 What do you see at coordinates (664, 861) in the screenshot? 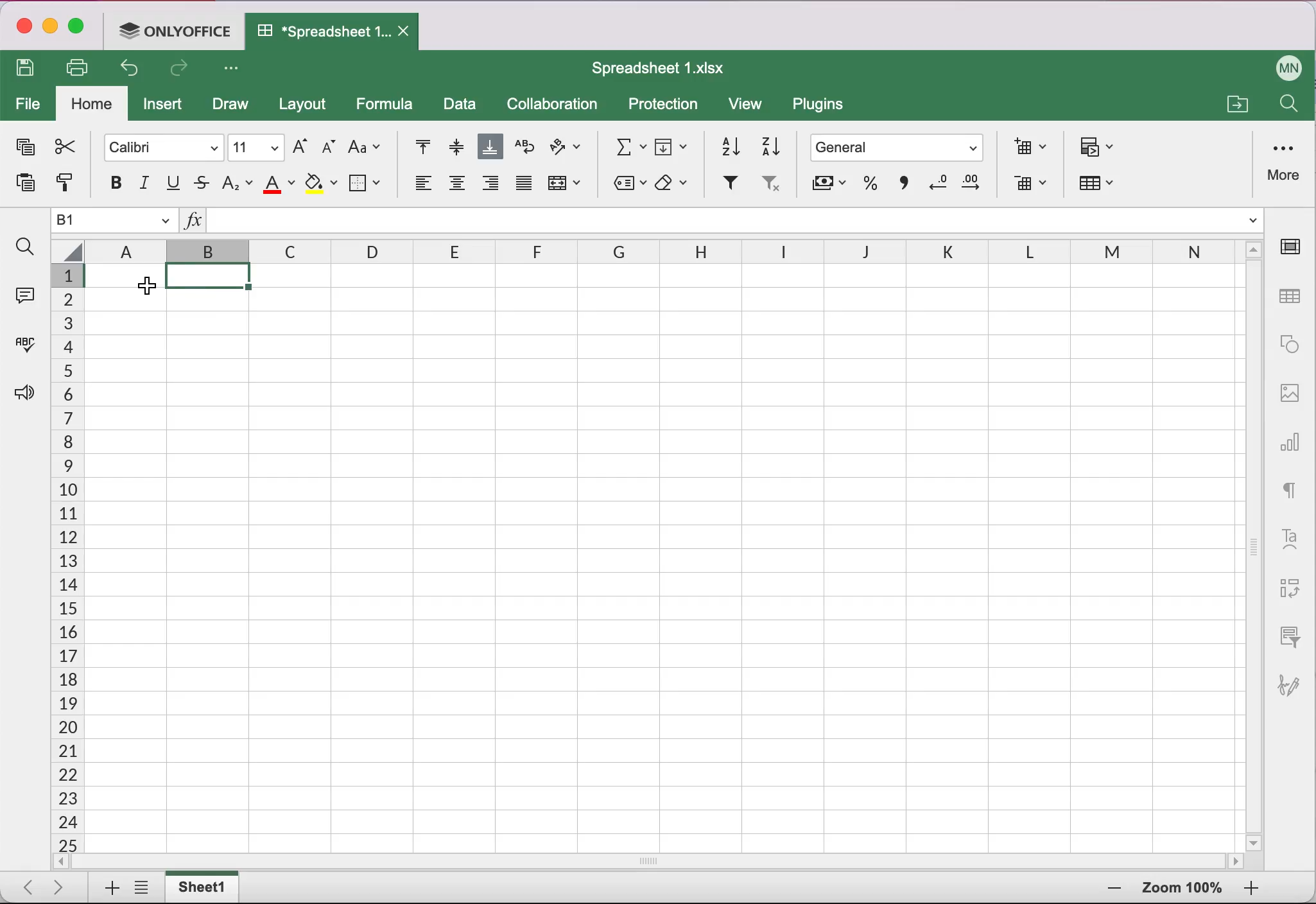
I see `horizontal slider` at bounding box center [664, 861].